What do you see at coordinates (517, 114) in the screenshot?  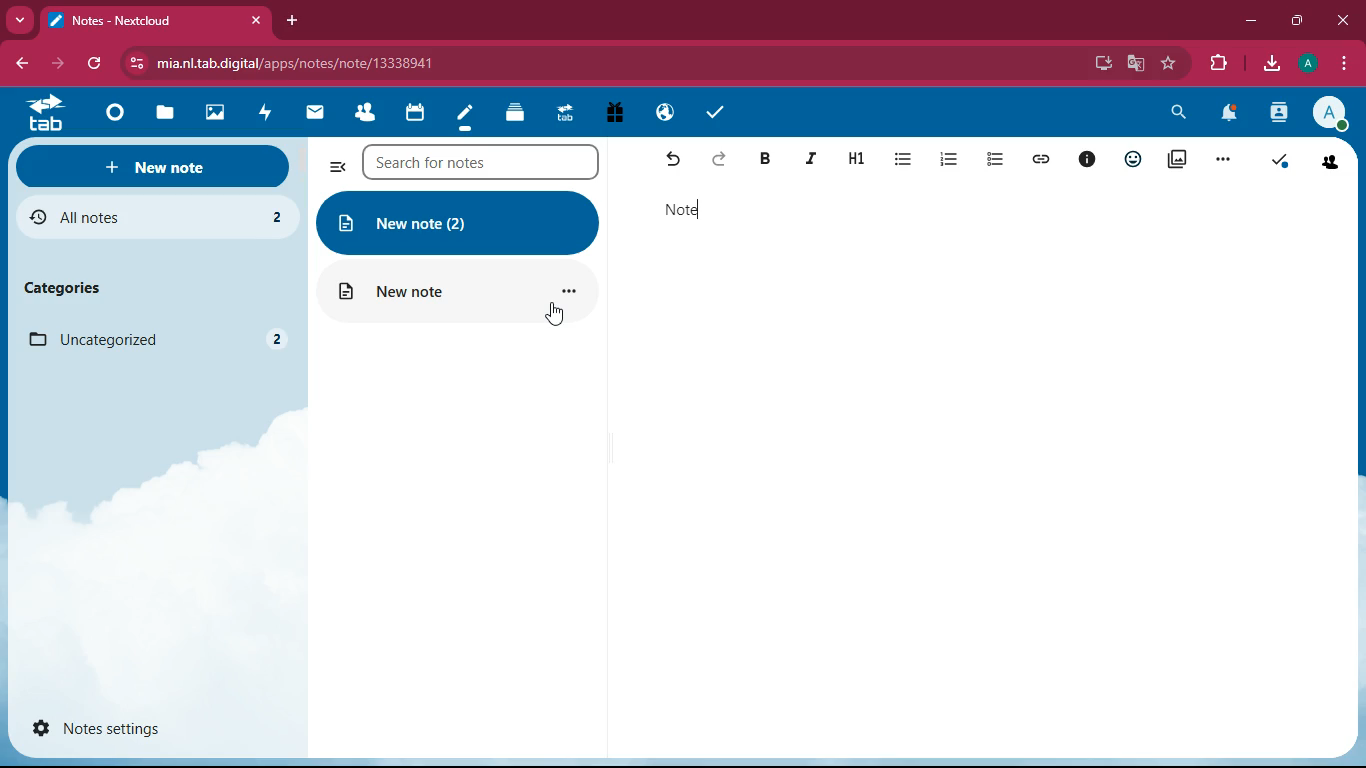 I see `layers` at bounding box center [517, 114].